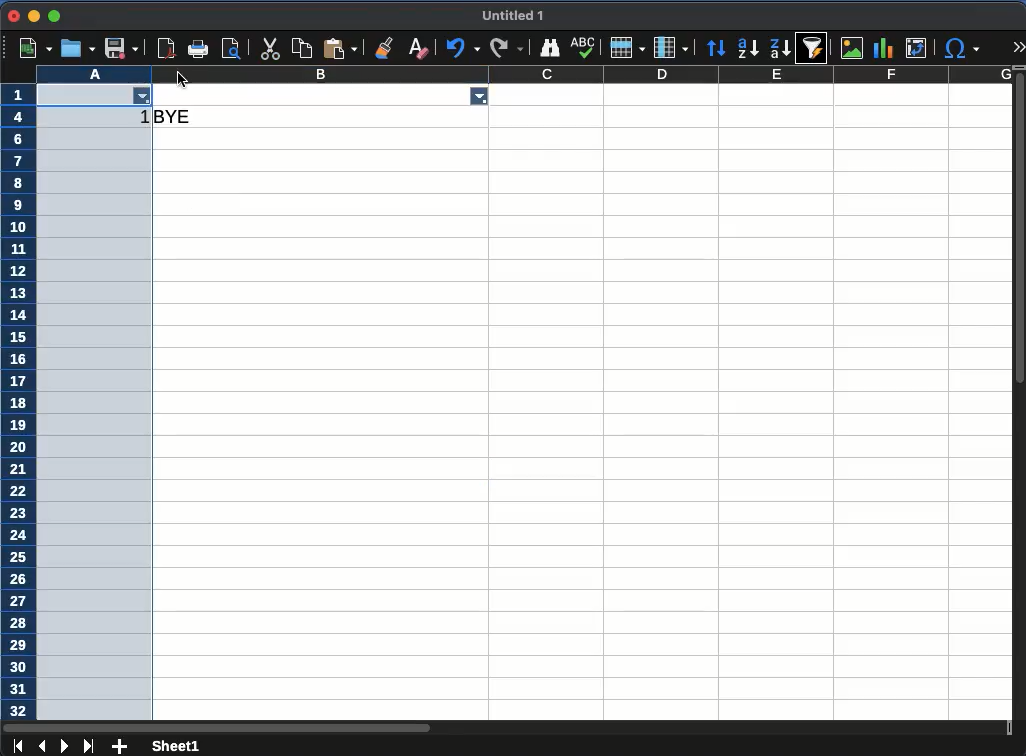 The image size is (1026, 756). I want to click on finder, so click(550, 48).